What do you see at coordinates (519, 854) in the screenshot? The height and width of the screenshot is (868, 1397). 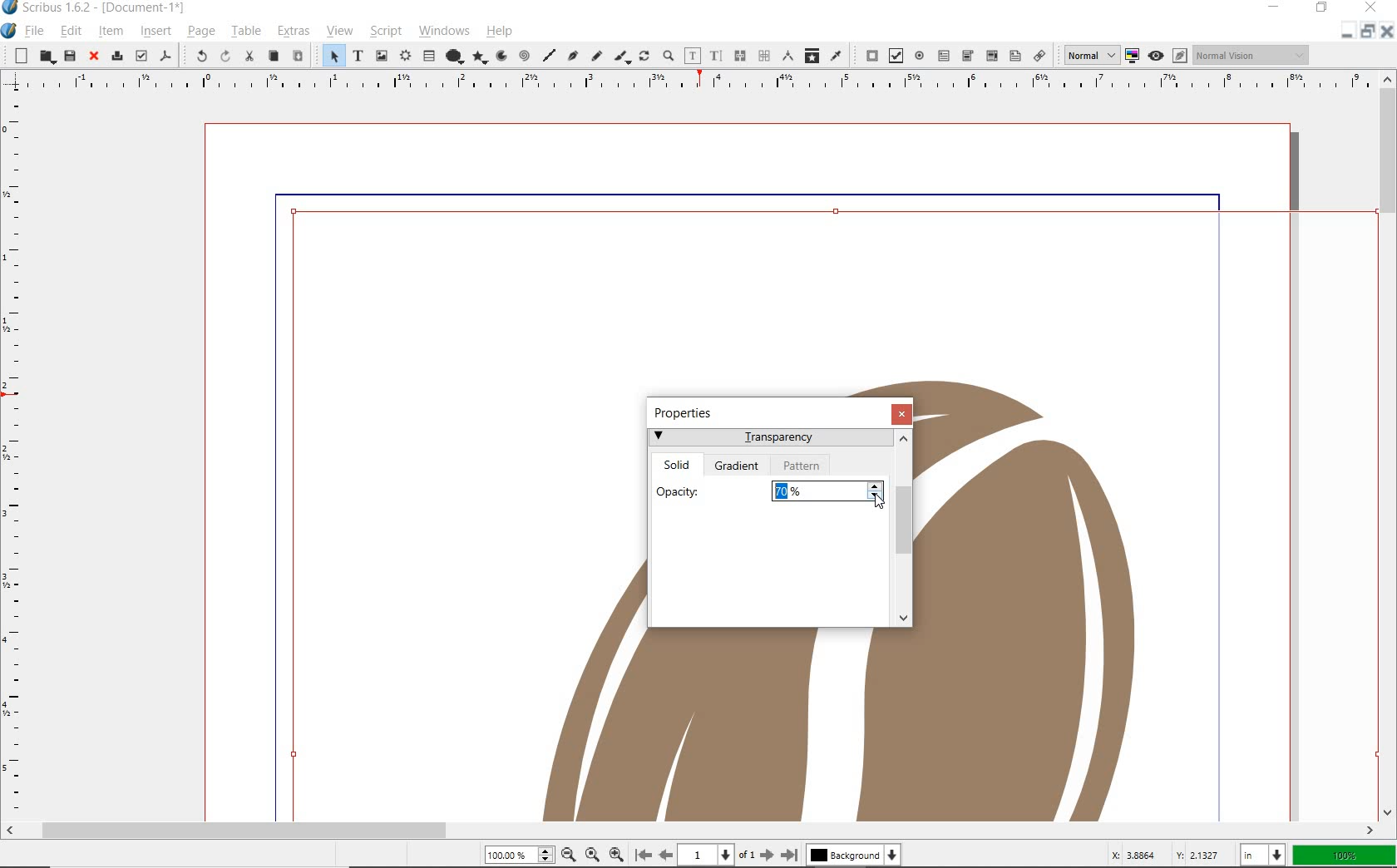 I see `Zoom 100.00%` at bounding box center [519, 854].